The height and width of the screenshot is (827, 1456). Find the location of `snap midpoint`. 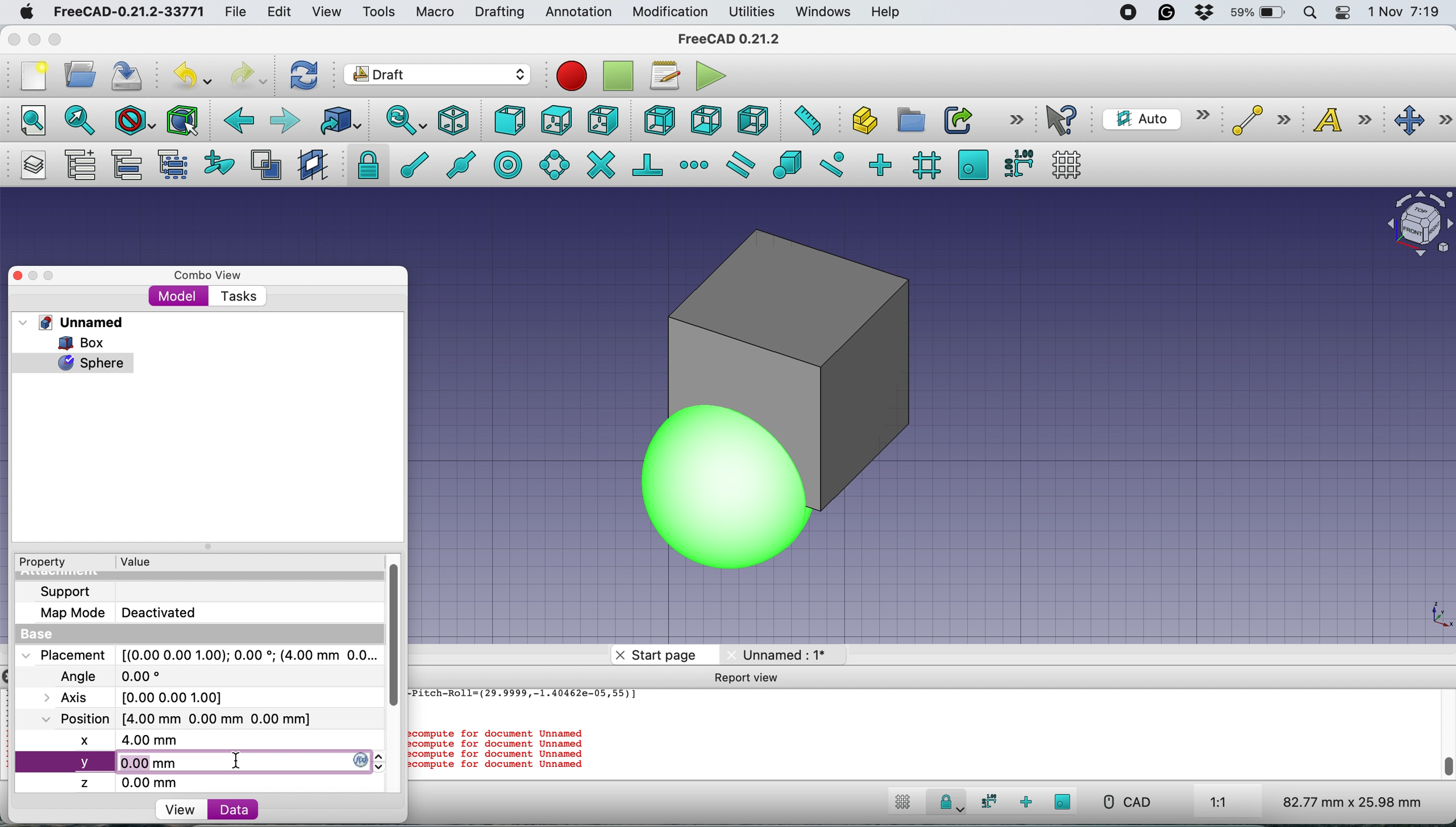

snap midpoint is located at coordinates (457, 164).